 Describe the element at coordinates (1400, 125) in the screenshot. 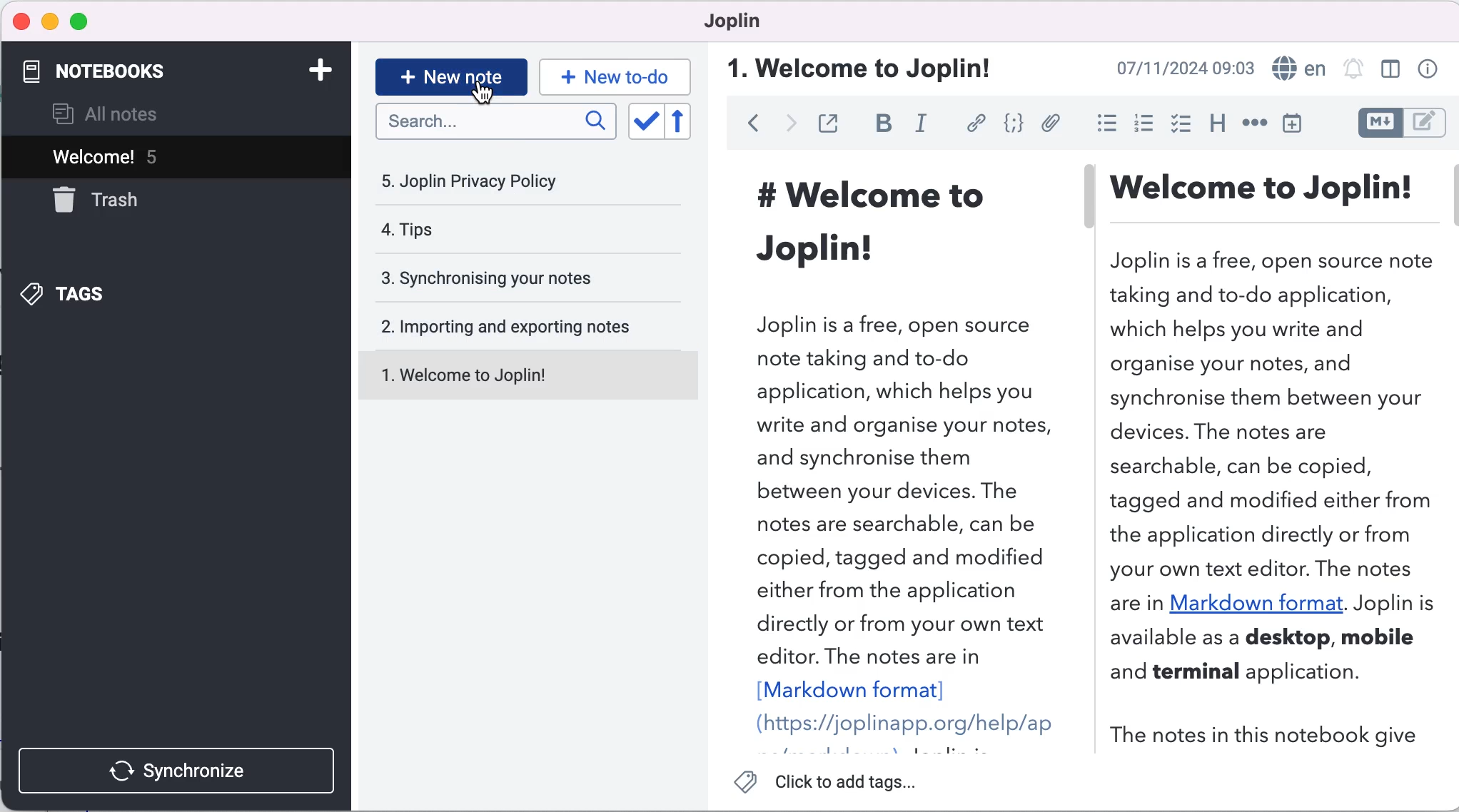

I see `toggle editors` at that location.